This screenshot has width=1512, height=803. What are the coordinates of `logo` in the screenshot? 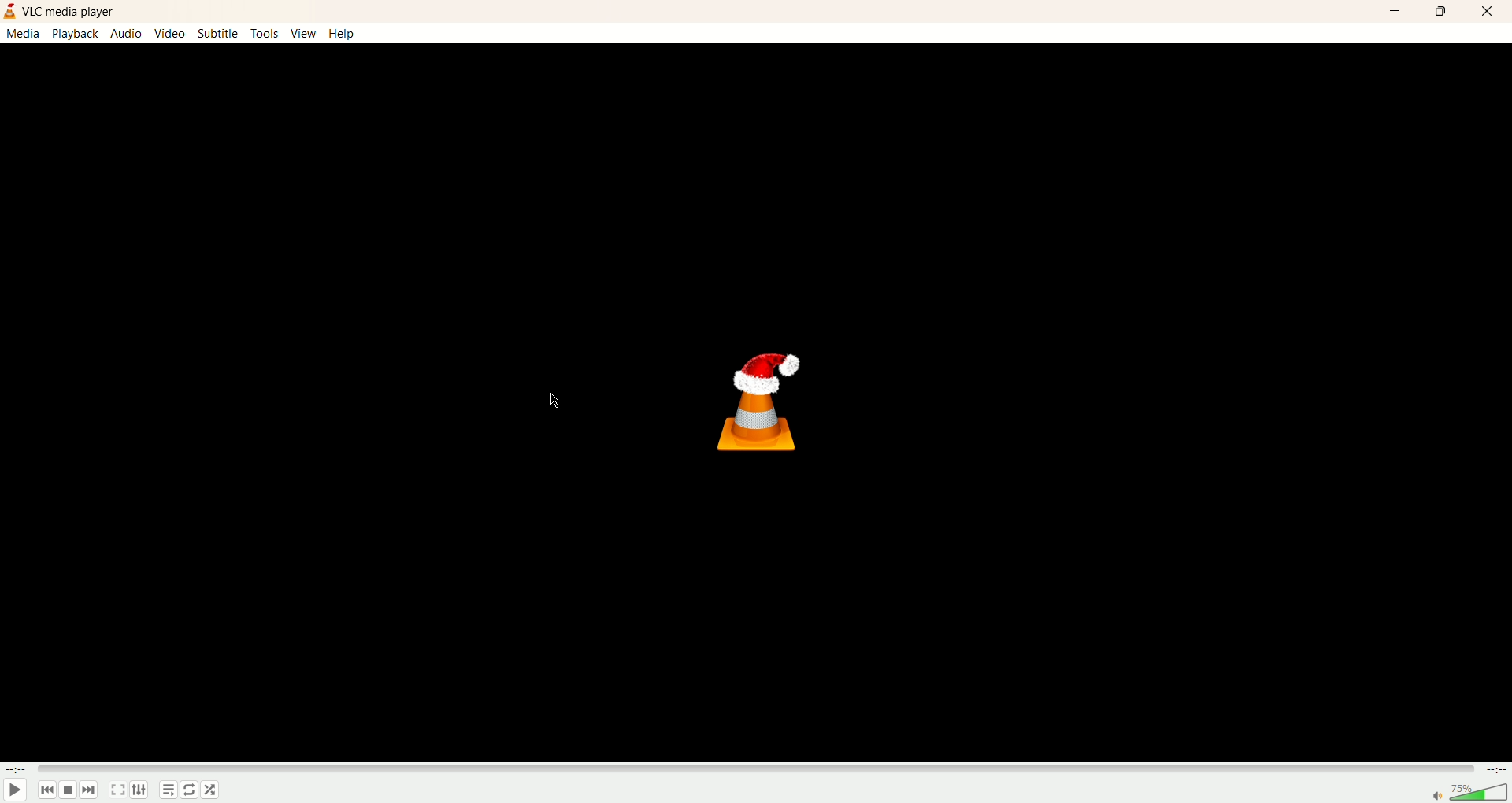 It's located at (9, 10).